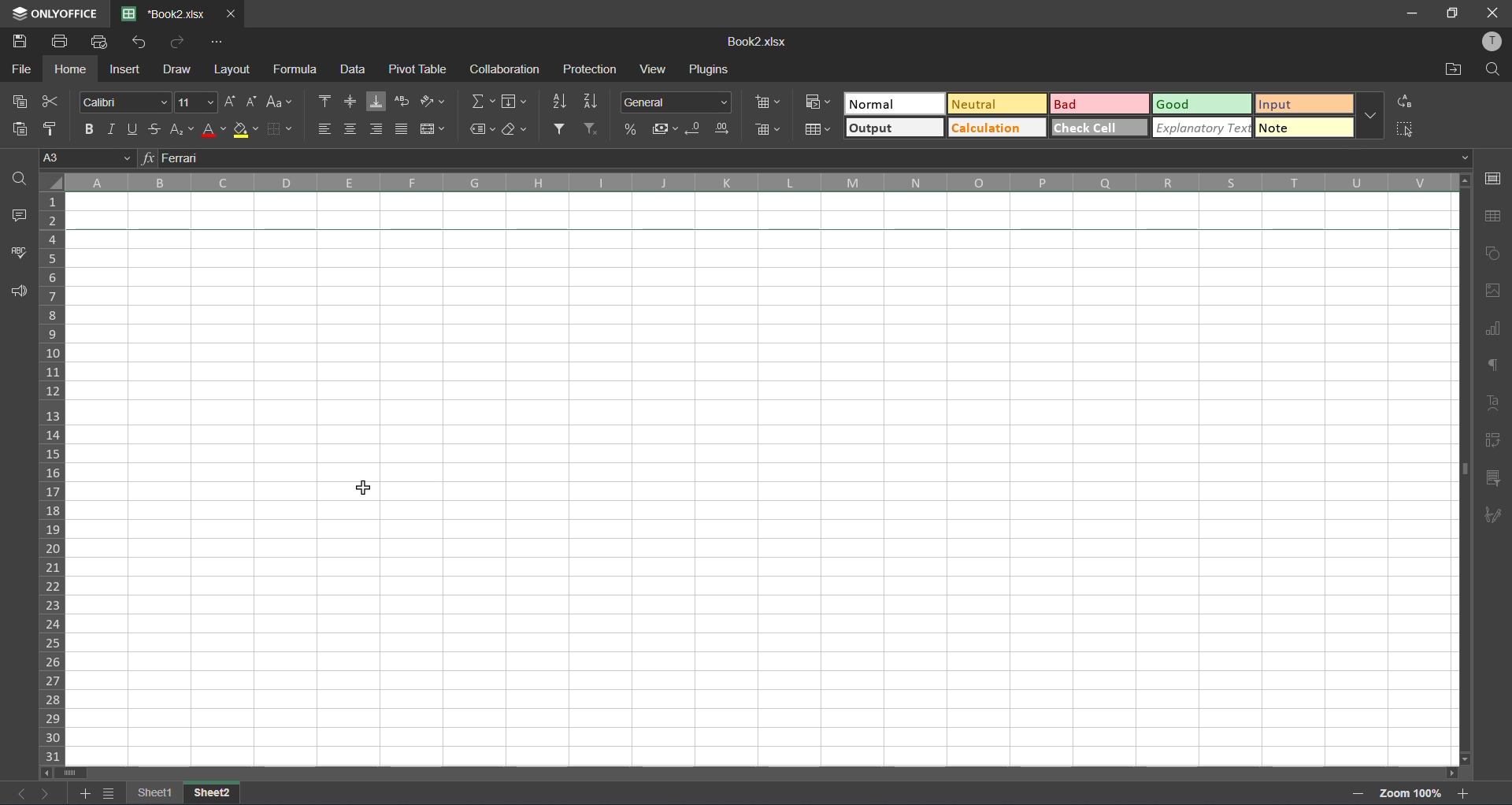  I want to click on check cell, so click(1099, 127).